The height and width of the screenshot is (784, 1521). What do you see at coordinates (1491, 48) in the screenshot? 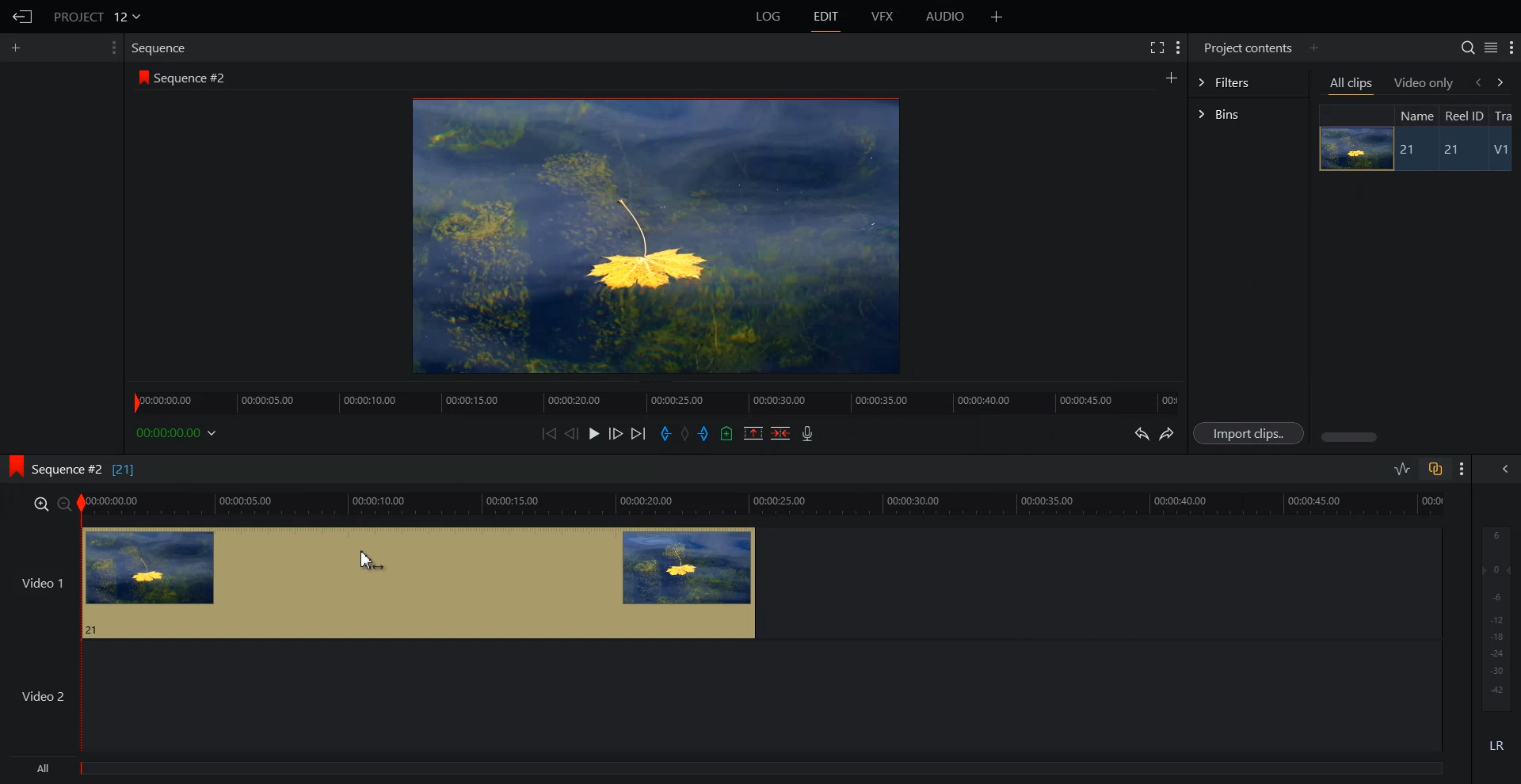
I see `Toggle between list and tile view` at bounding box center [1491, 48].